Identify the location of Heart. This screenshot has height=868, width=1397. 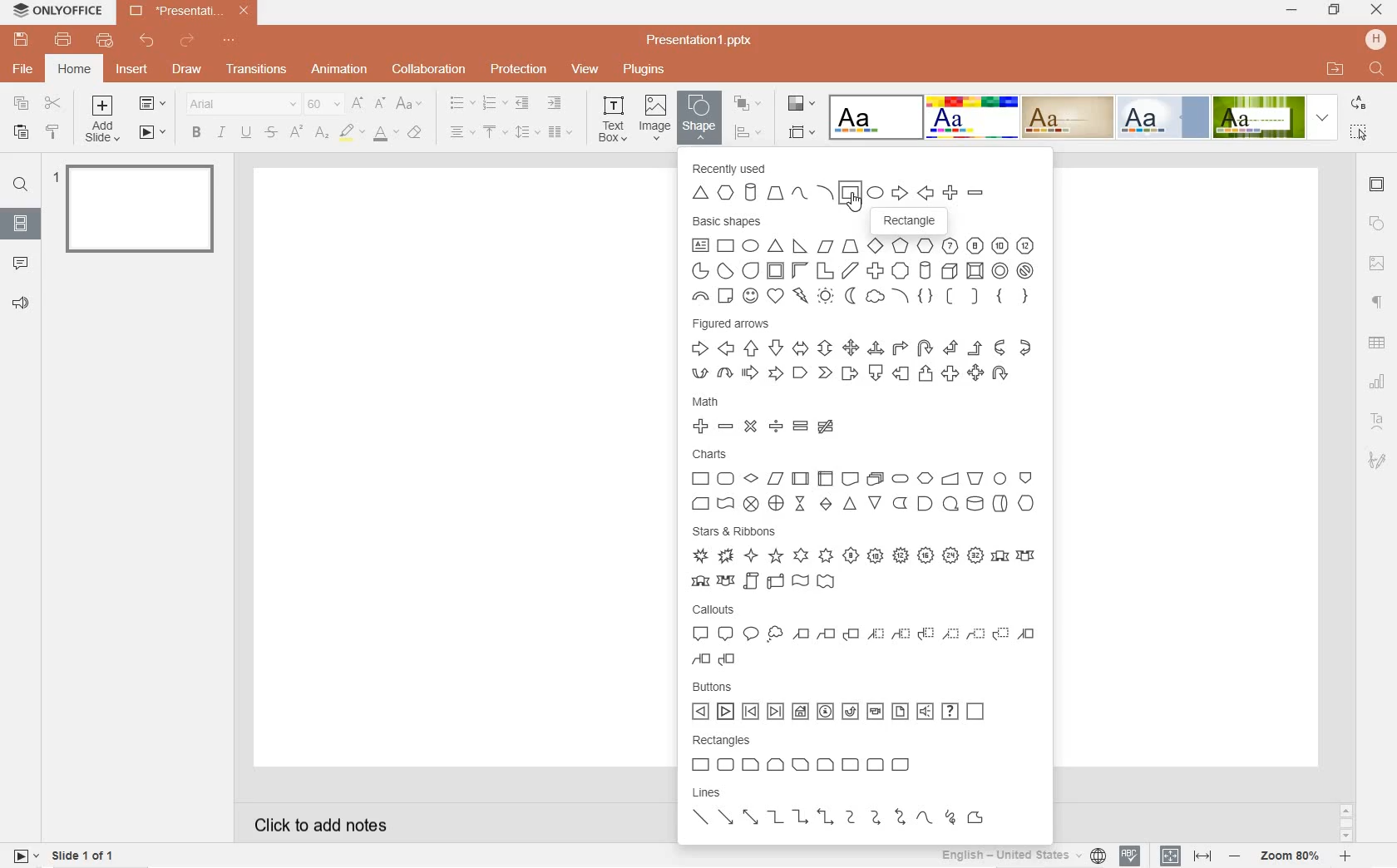
(778, 296).